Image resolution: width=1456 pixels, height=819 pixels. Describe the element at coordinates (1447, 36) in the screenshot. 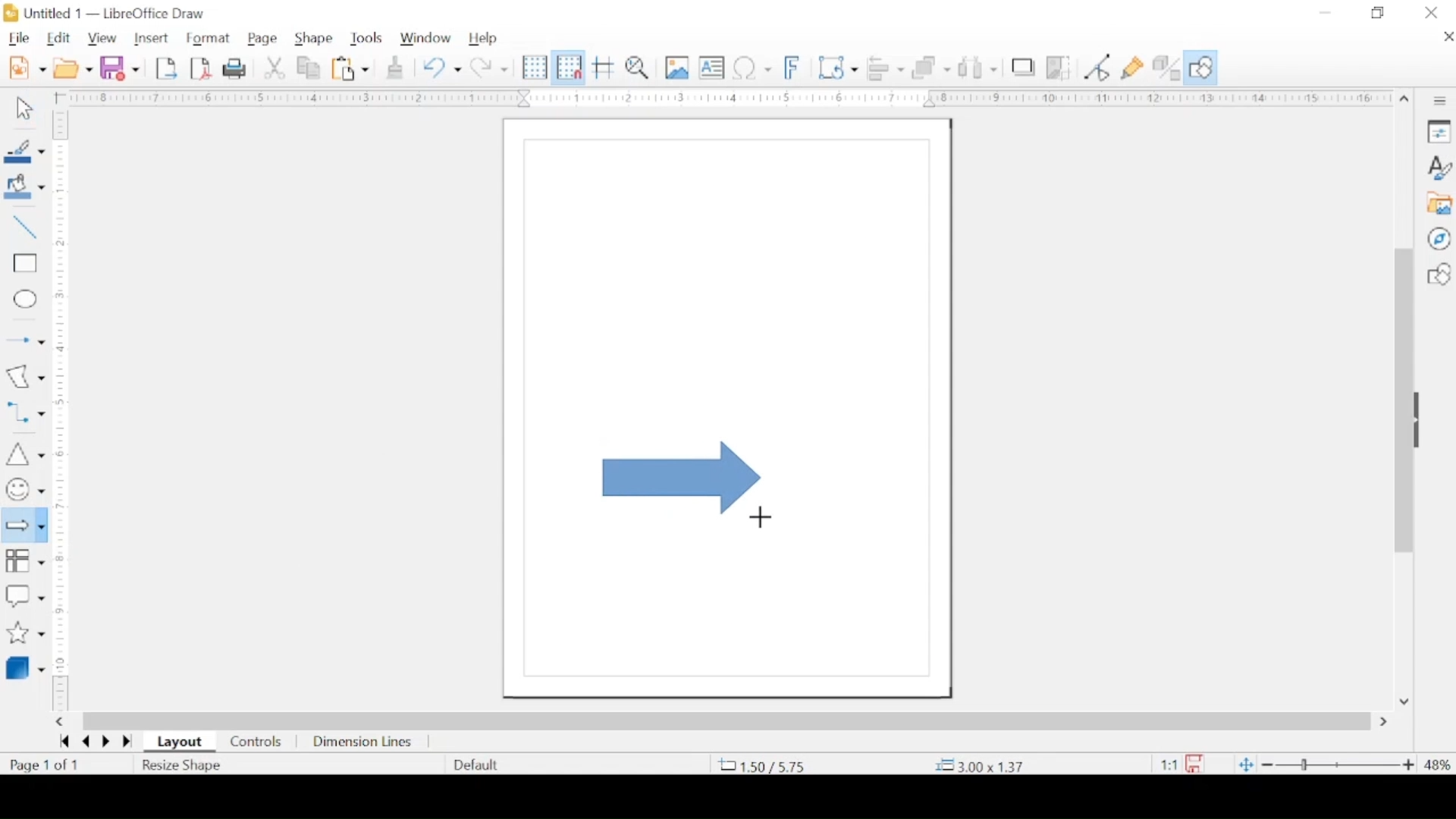

I see `close` at that location.